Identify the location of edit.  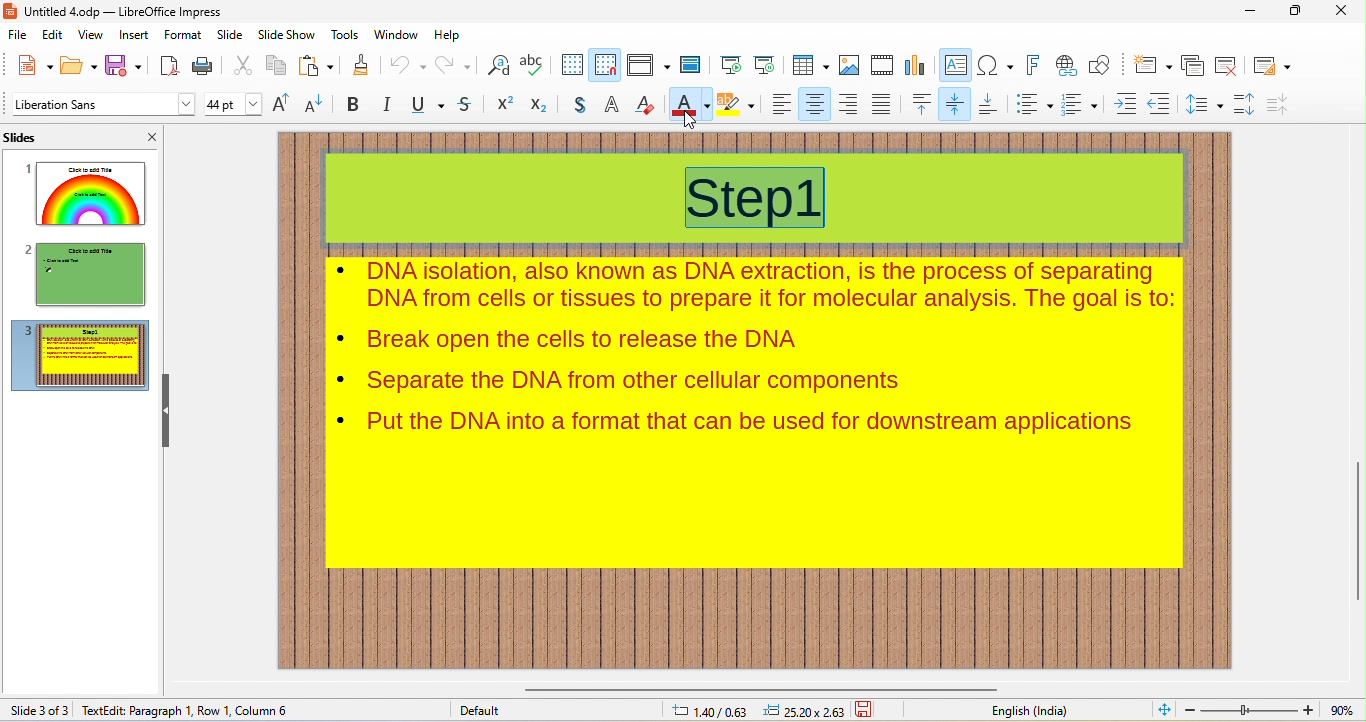
(52, 36).